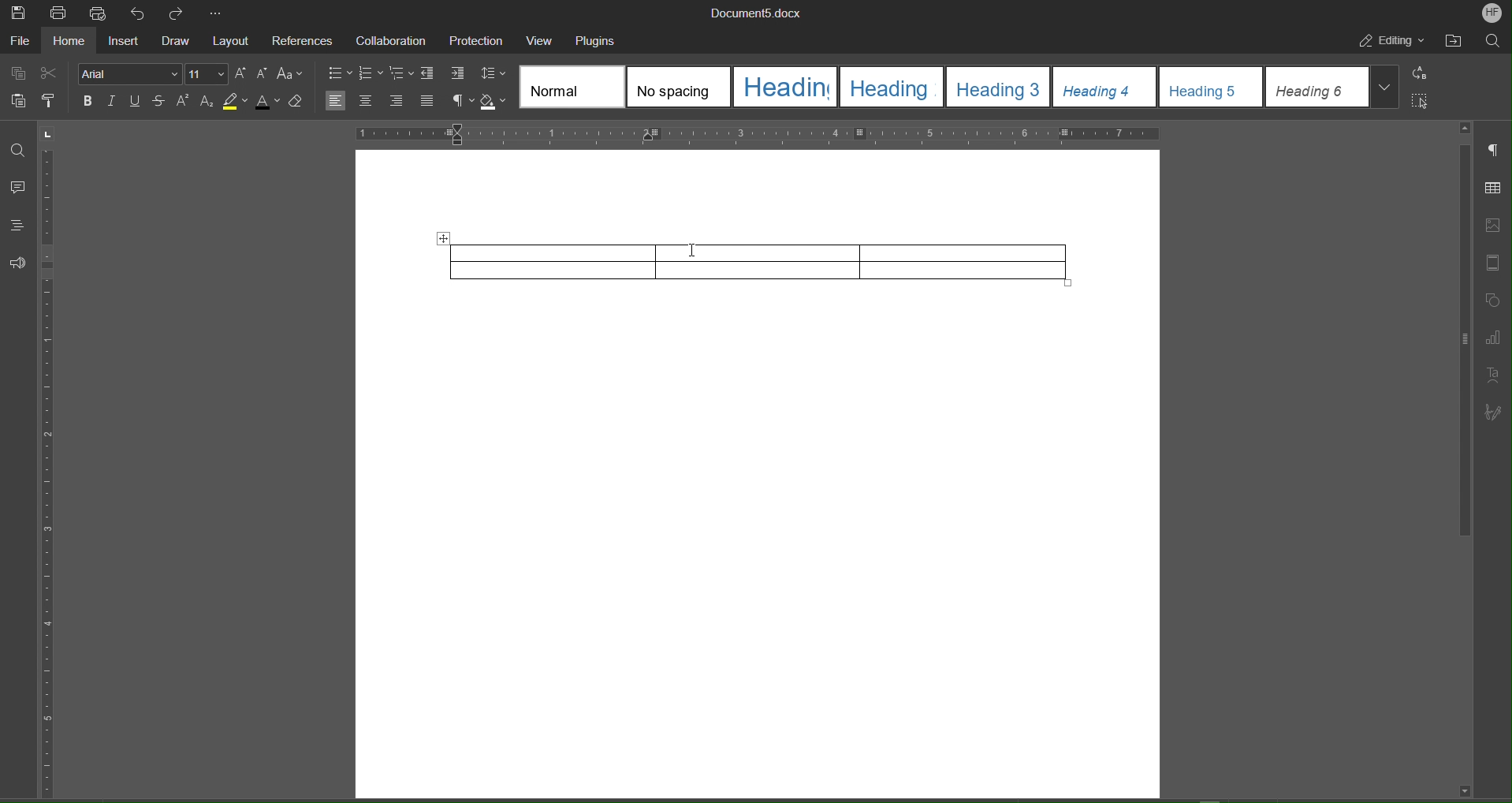  I want to click on Alignment, so click(380, 101).